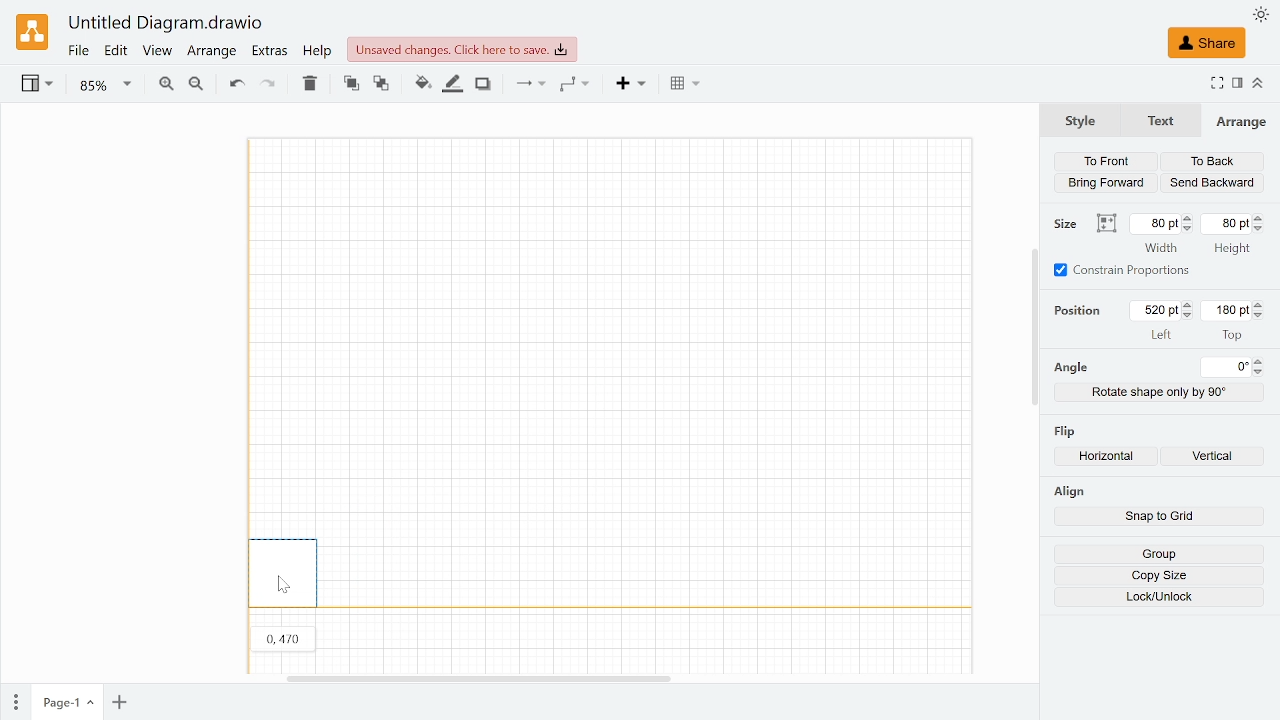 Image resolution: width=1280 pixels, height=720 pixels. I want to click on View, so click(156, 52).